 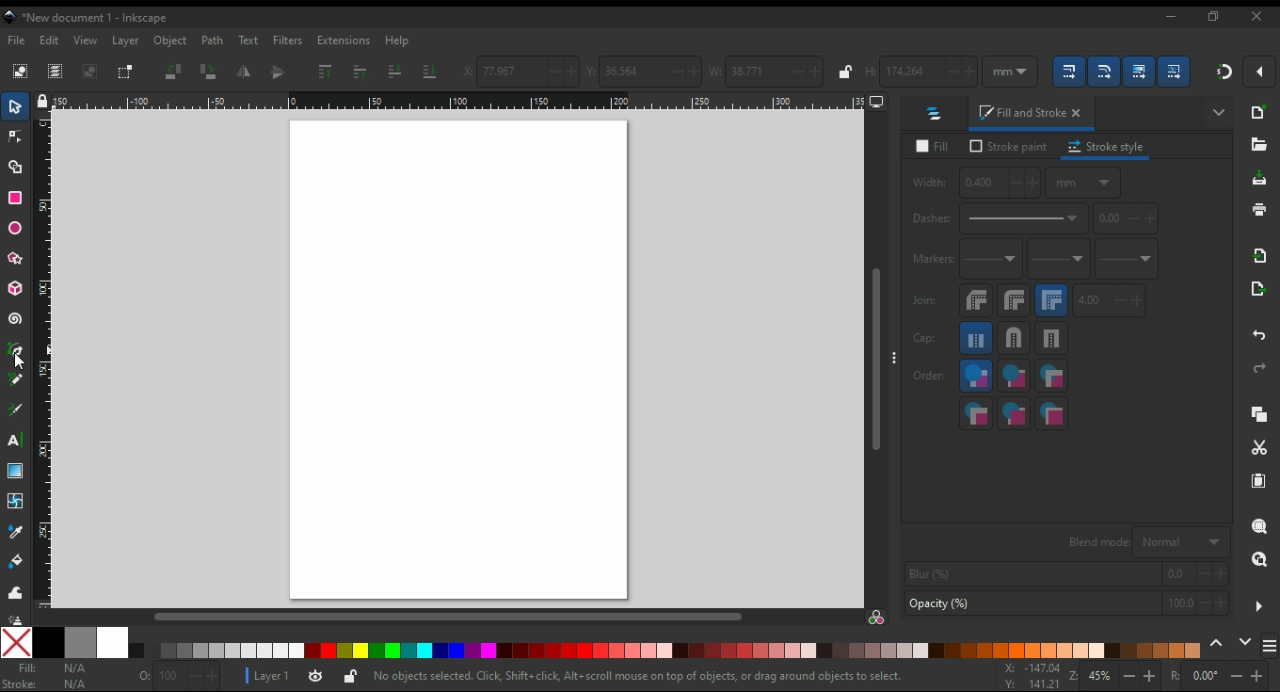 What do you see at coordinates (1174, 71) in the screenshot?
I see `move patterns (in fill or stroke) along with other objects` at bounding box center [1174, 71].